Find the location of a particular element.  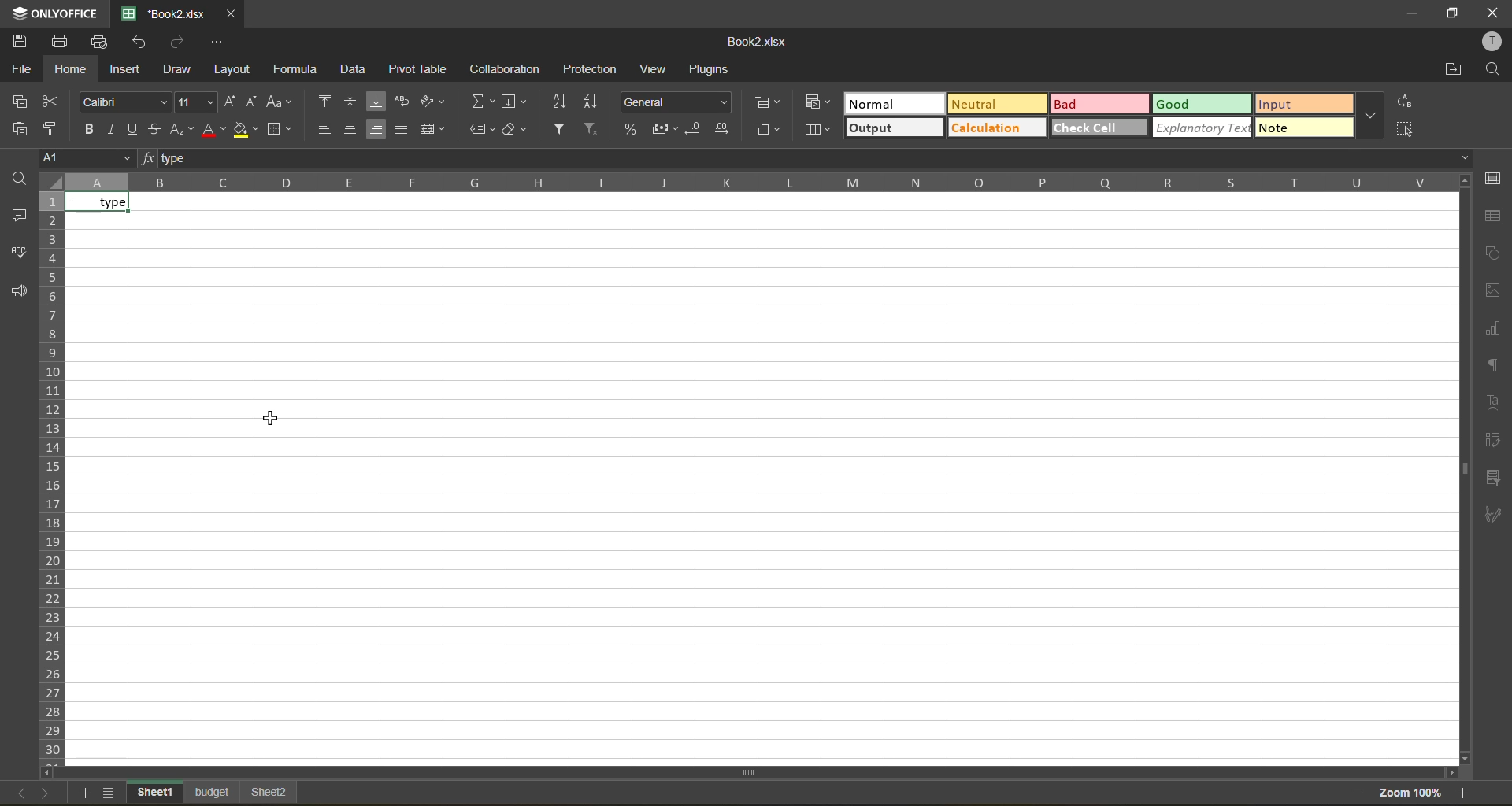

protection is located at coordinates (586, 70).